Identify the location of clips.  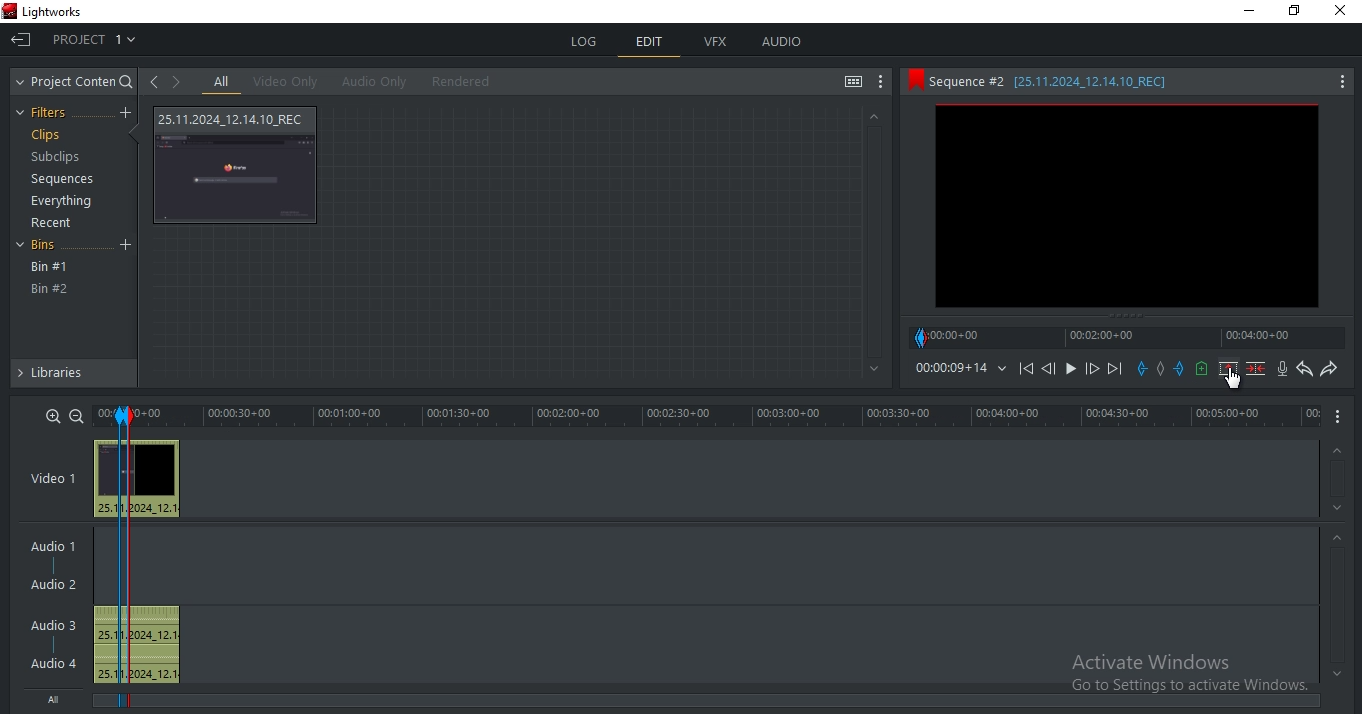
(45, 135).